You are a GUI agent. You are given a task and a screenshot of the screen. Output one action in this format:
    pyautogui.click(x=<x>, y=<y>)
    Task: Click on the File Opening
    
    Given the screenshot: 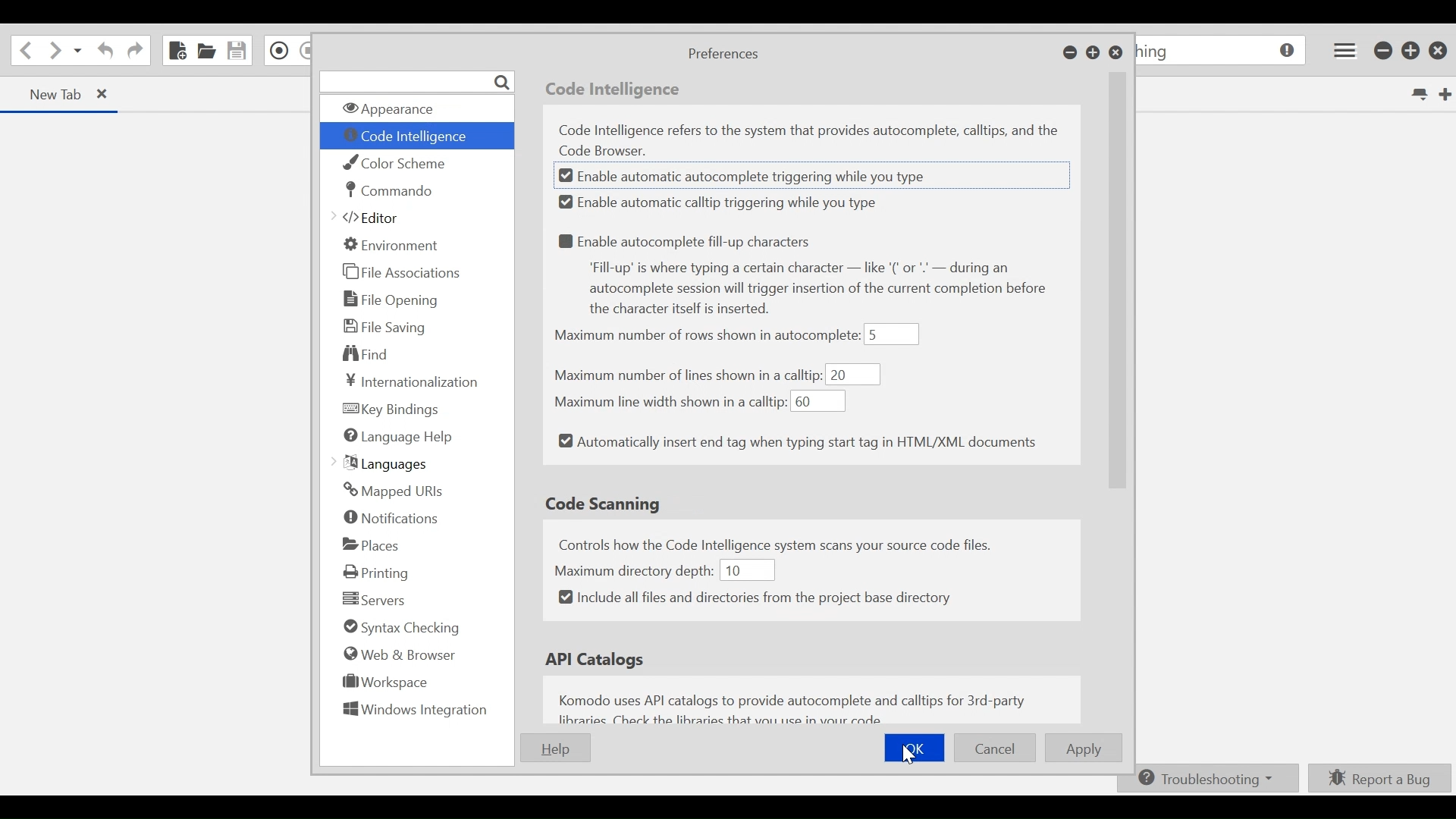 What is the action you would take?
    pyautogui.click(x=394, y=299)
    